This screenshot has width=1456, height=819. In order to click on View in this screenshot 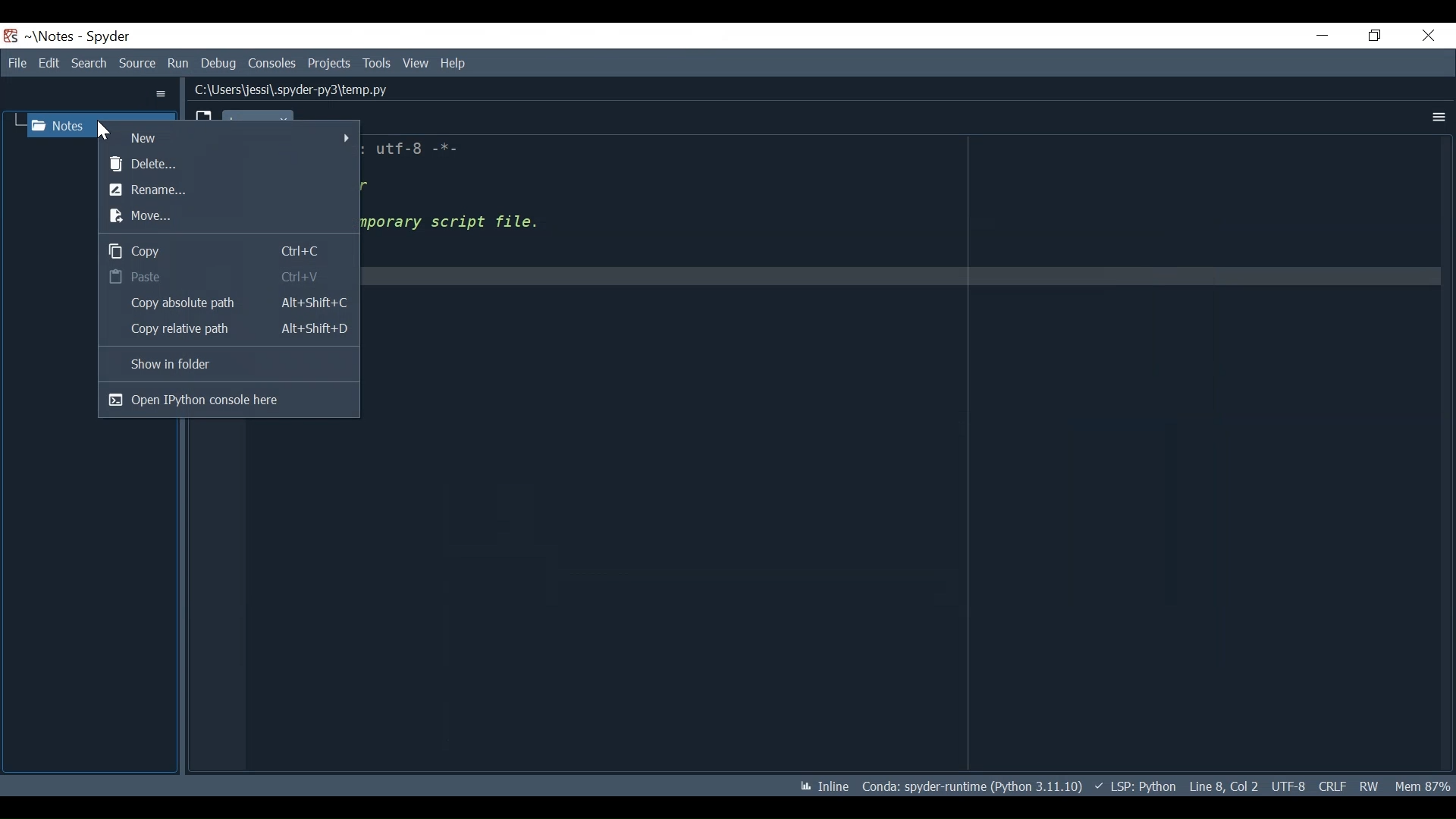, I will do `click(415, 64)`.